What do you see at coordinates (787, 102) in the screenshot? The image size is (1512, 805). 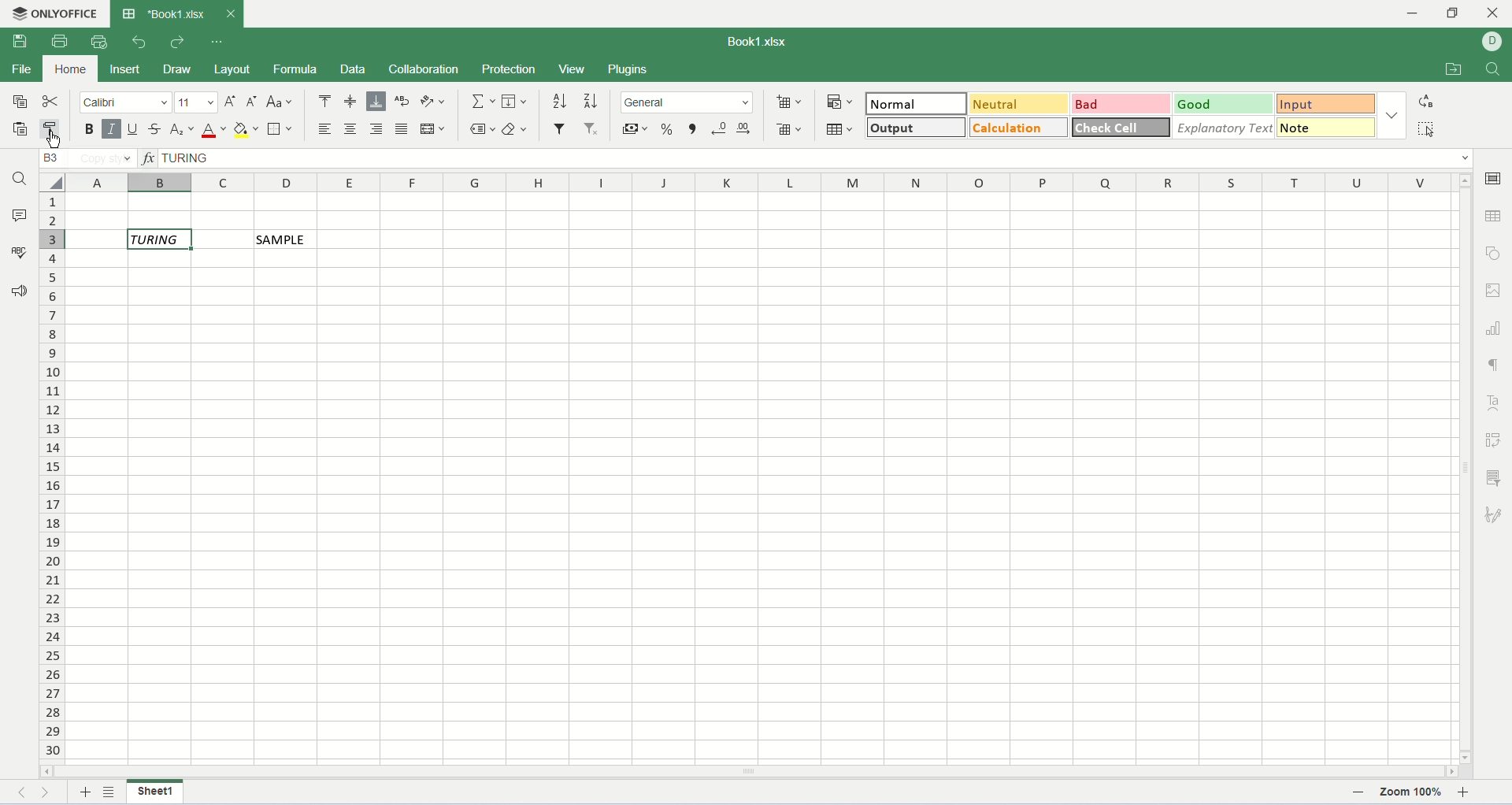 I see `insert cell` at bounding box center [787, 102].